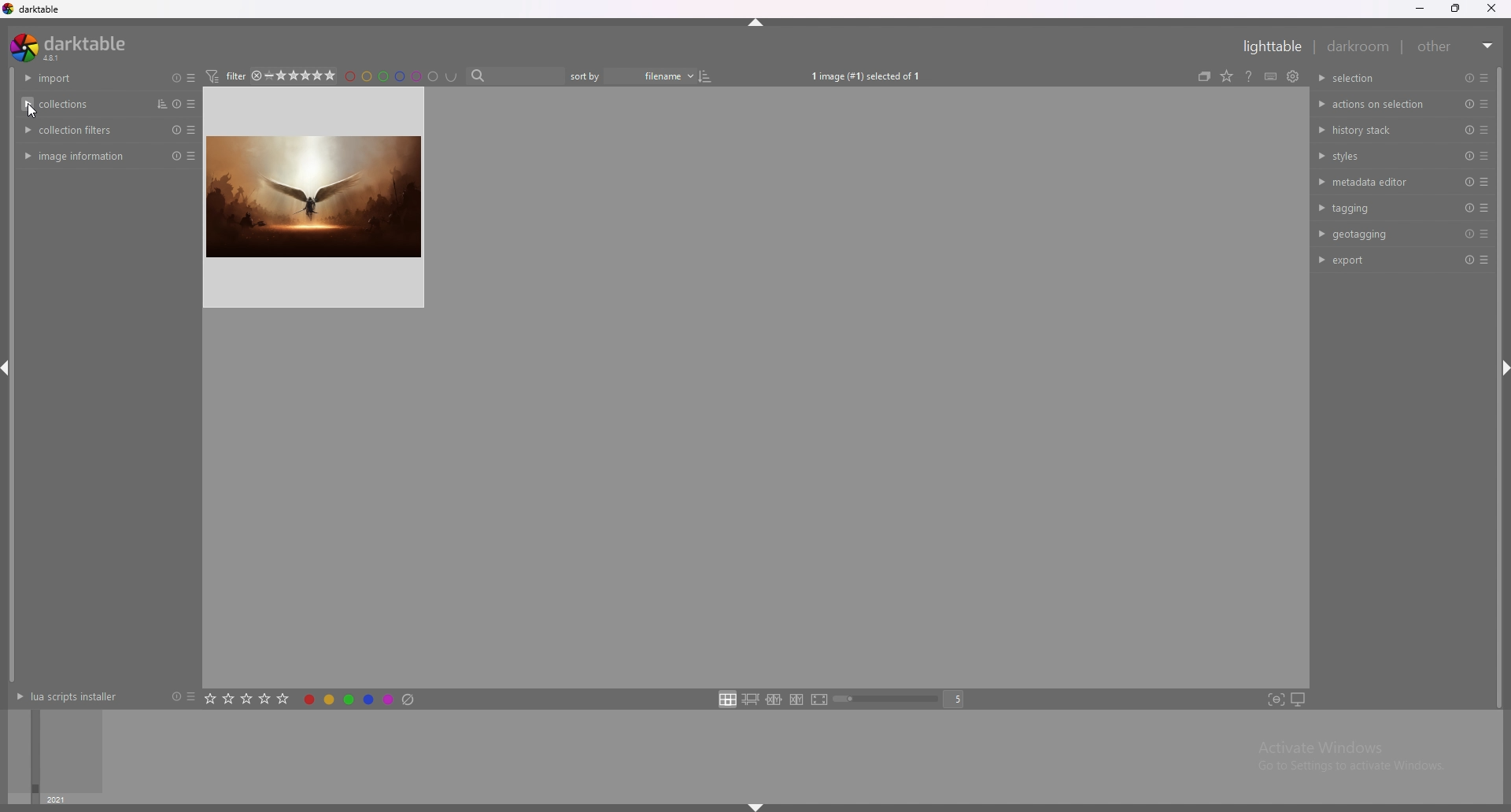 The width and height of the screenshot is (1511, 812). Describe the element at coordinates (1469, 156) in the screenshot. I see `reset` at that location.